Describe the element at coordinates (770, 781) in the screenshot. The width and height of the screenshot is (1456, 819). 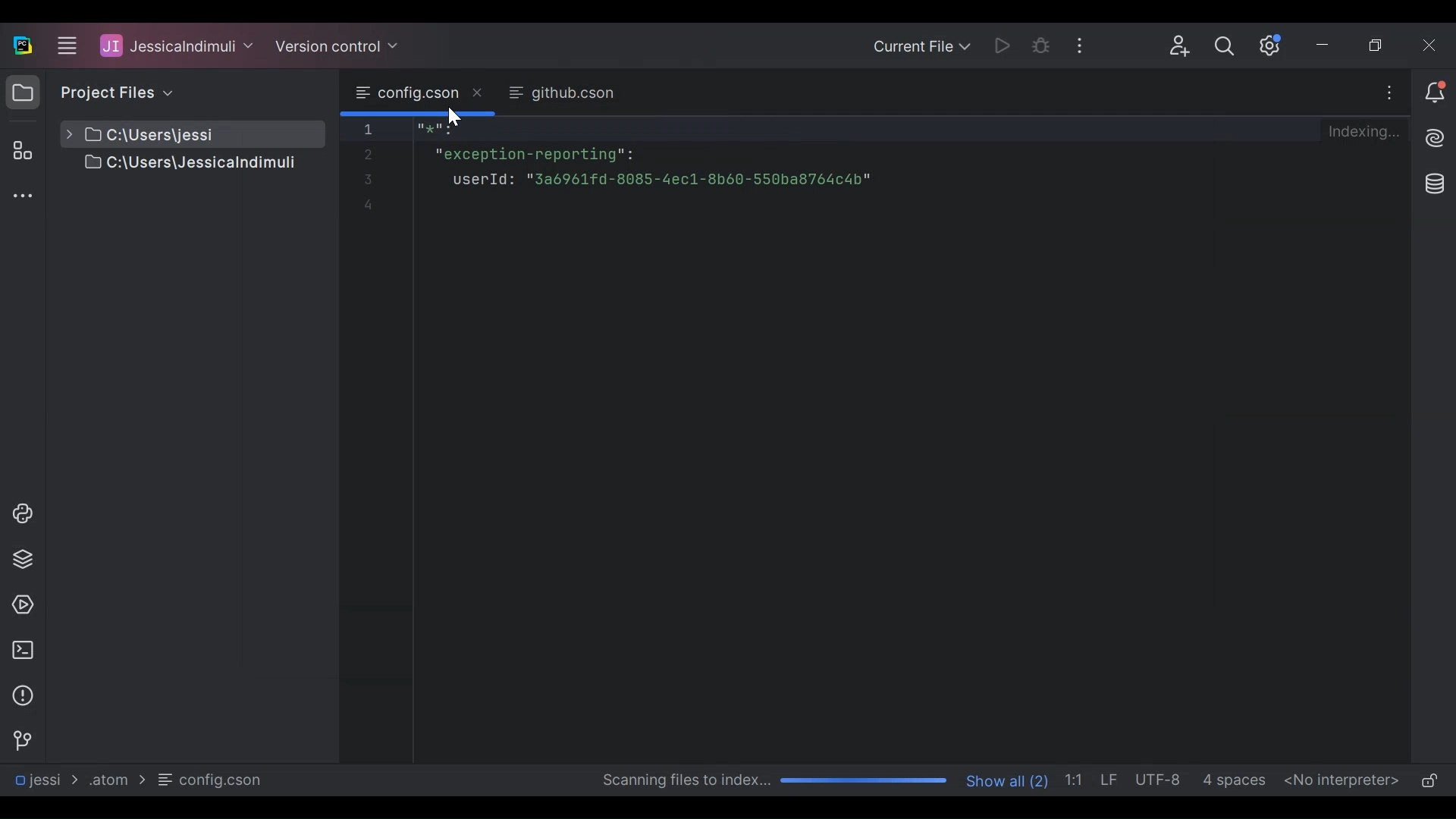
I see `Scanning files to index Progress` at that location.